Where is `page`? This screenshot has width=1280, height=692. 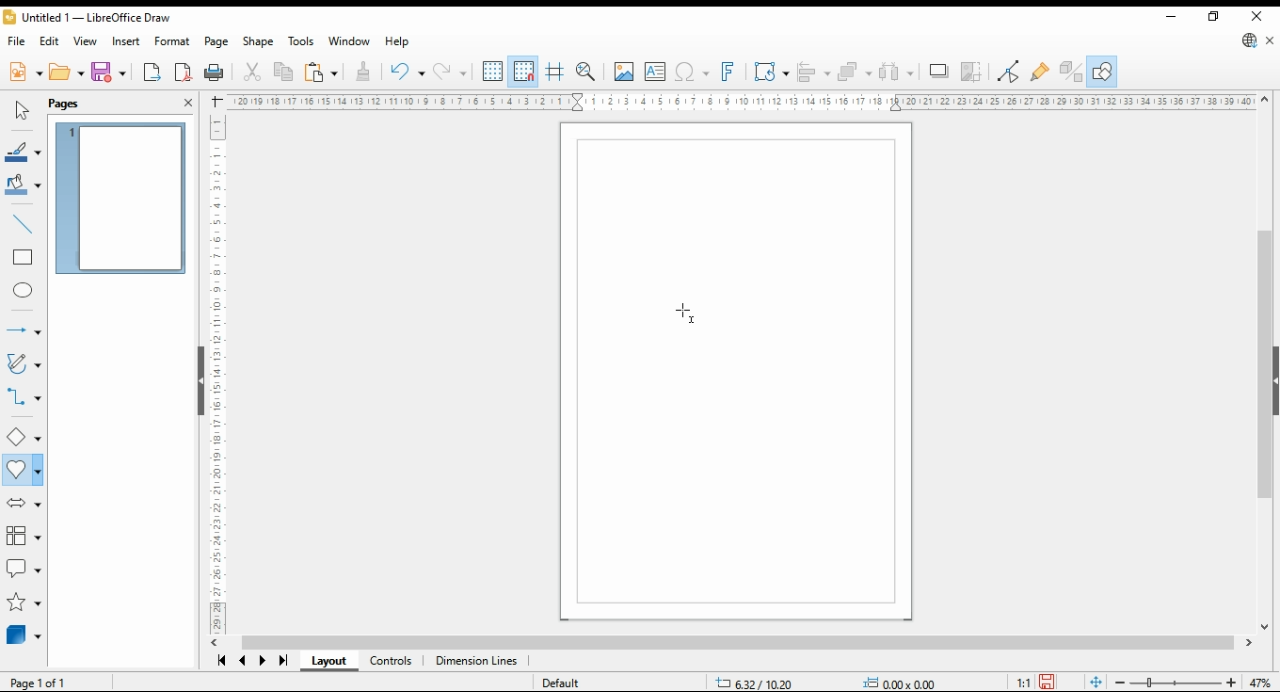 page is located at coordinates (217, 43).